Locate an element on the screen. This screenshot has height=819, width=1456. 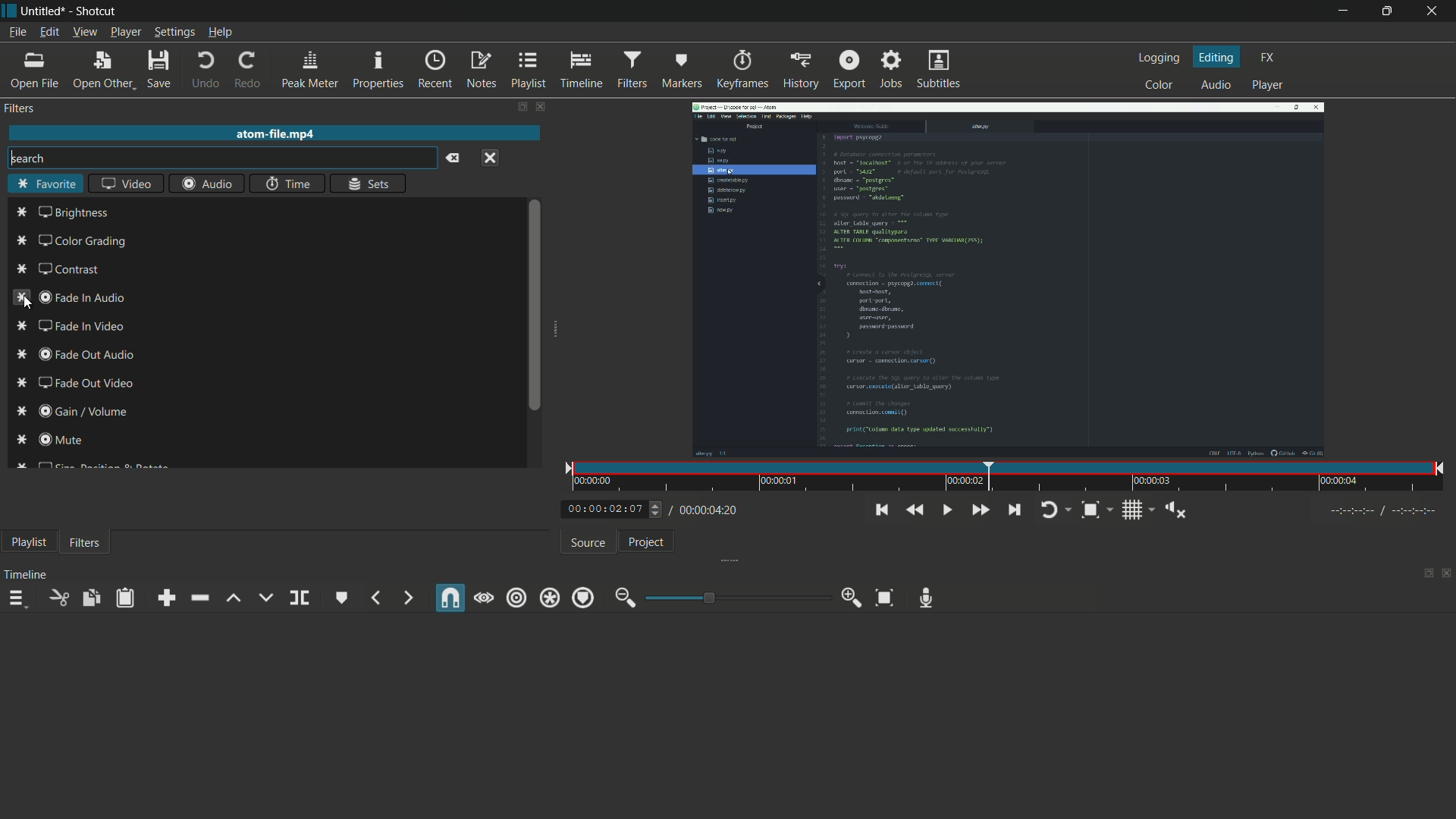
record audio is located at coordinates (927, 598).